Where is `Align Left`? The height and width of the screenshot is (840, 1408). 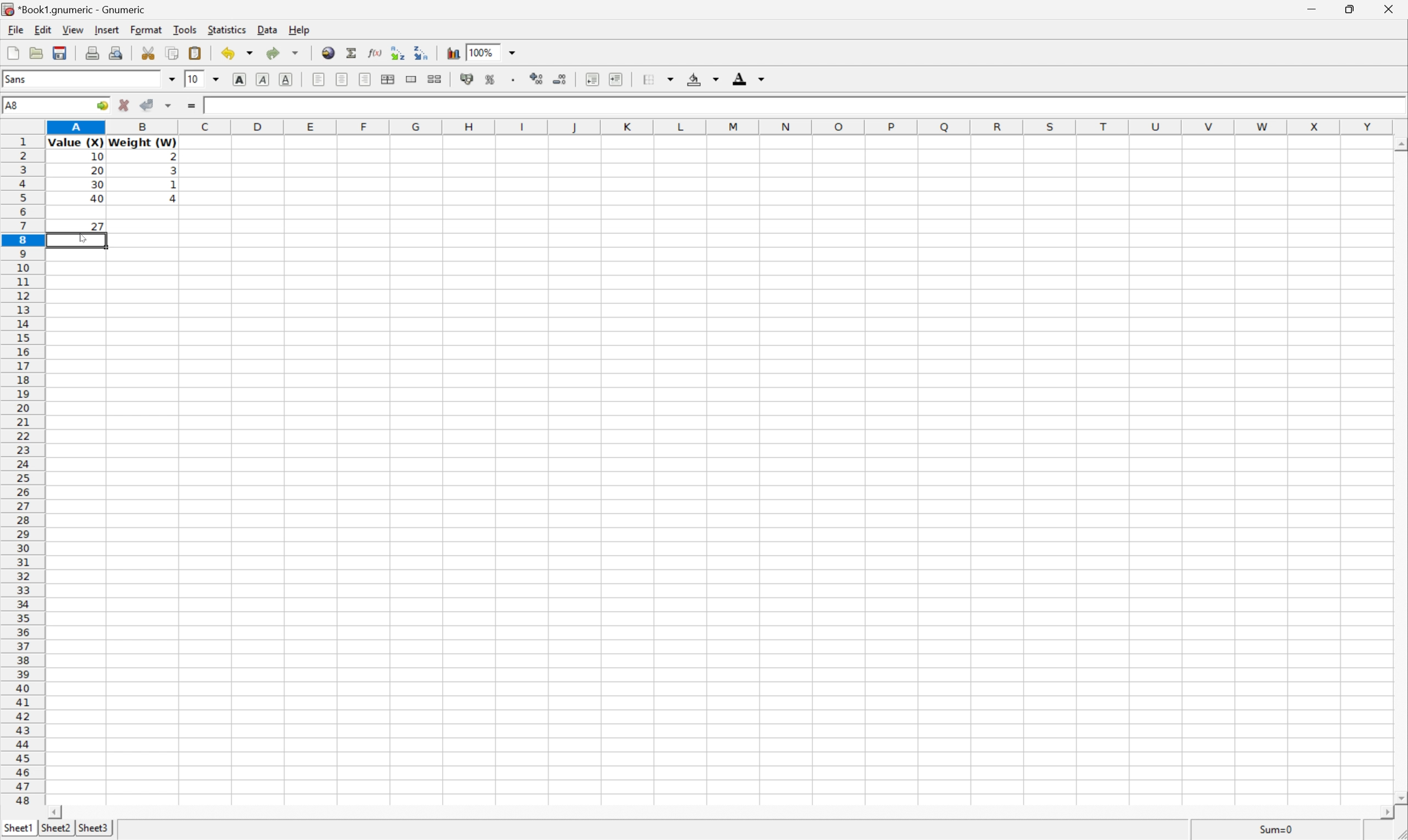 Align Left is located at coordinates (319, 79).